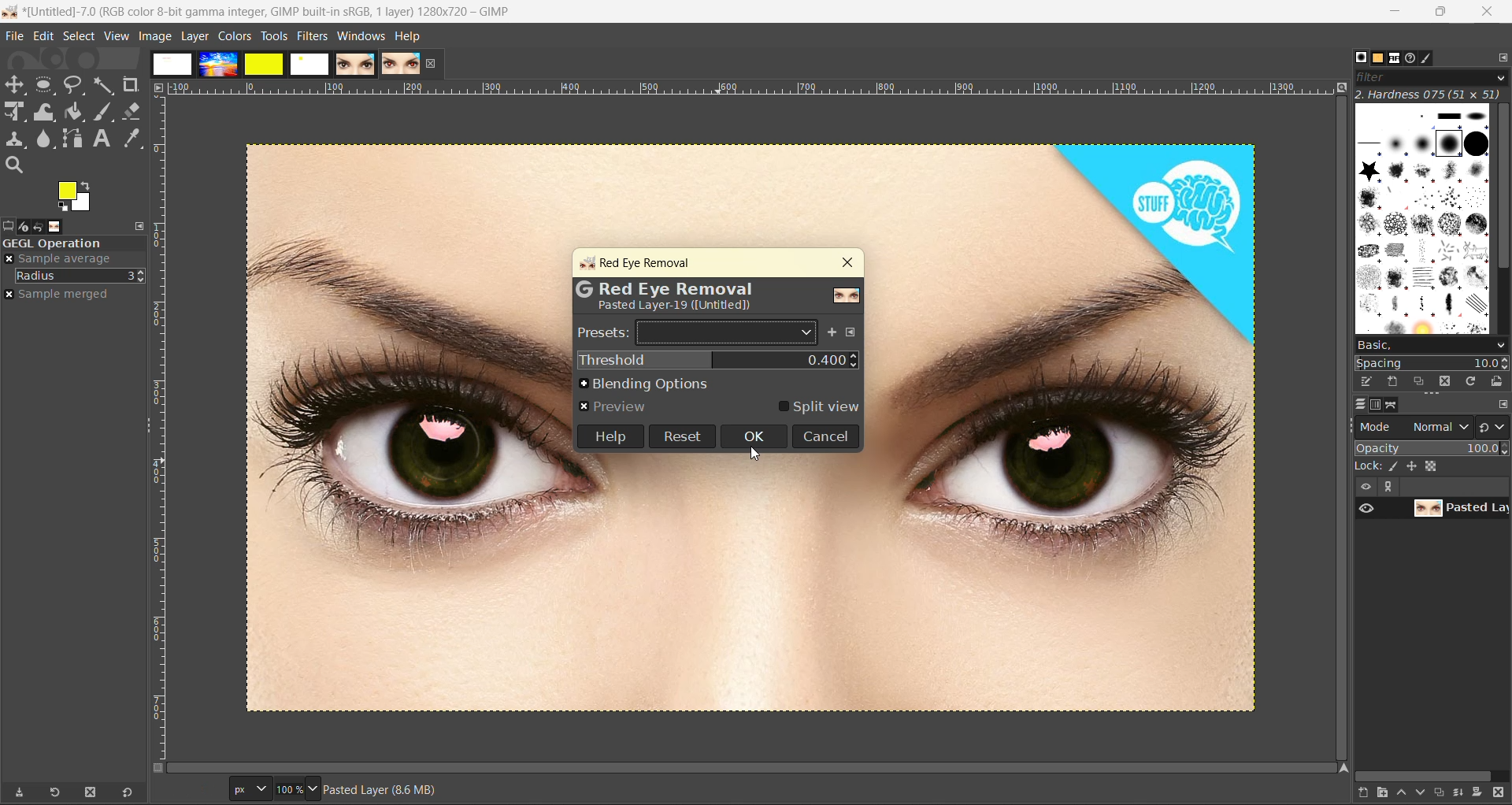 The image size is (1512, 805). What do you see at coordinates (1434, 59) in the screenshot?
I see `brush editor` at bounding box center [1434, 59].